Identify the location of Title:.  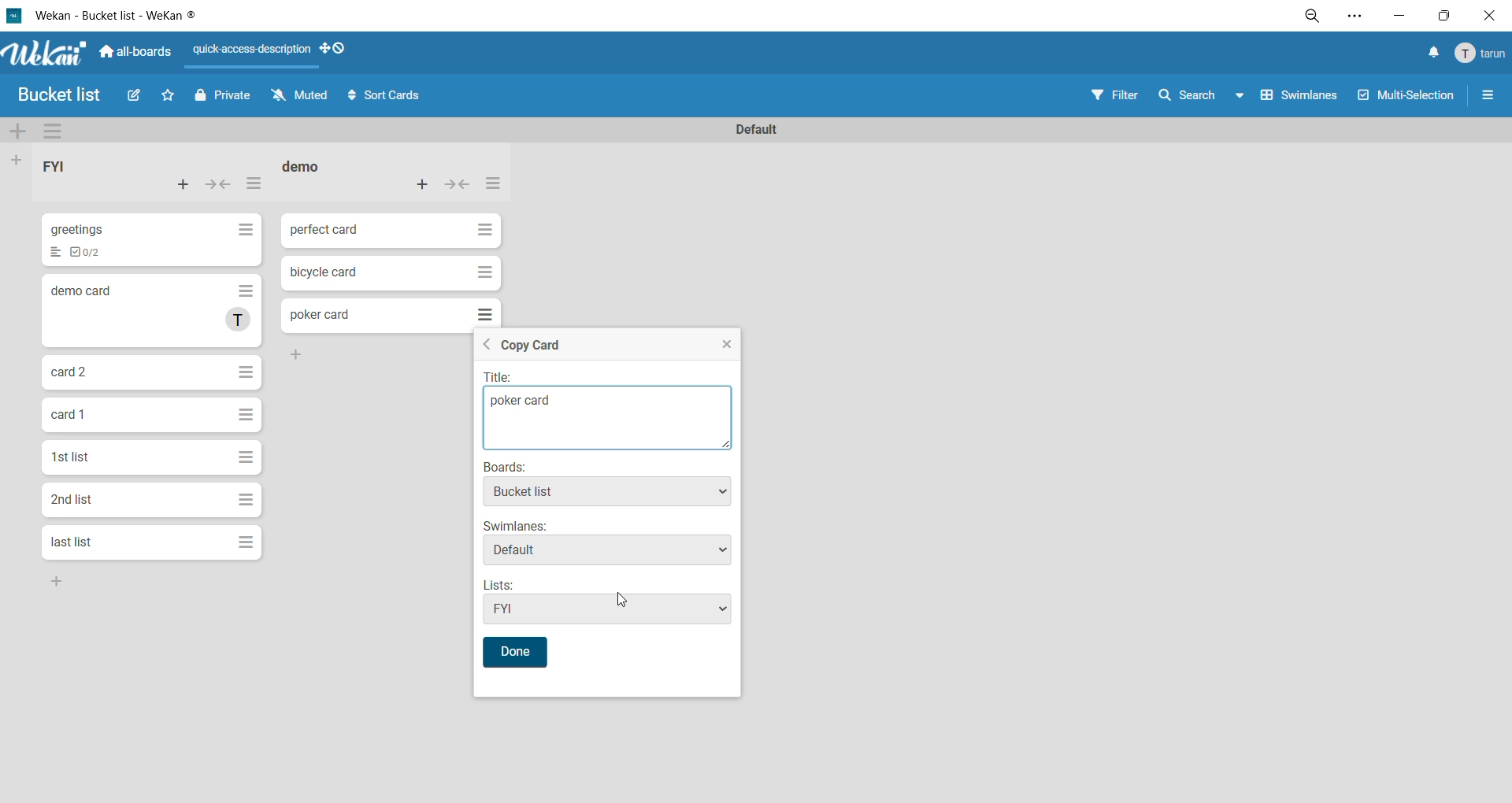
(515, 378).